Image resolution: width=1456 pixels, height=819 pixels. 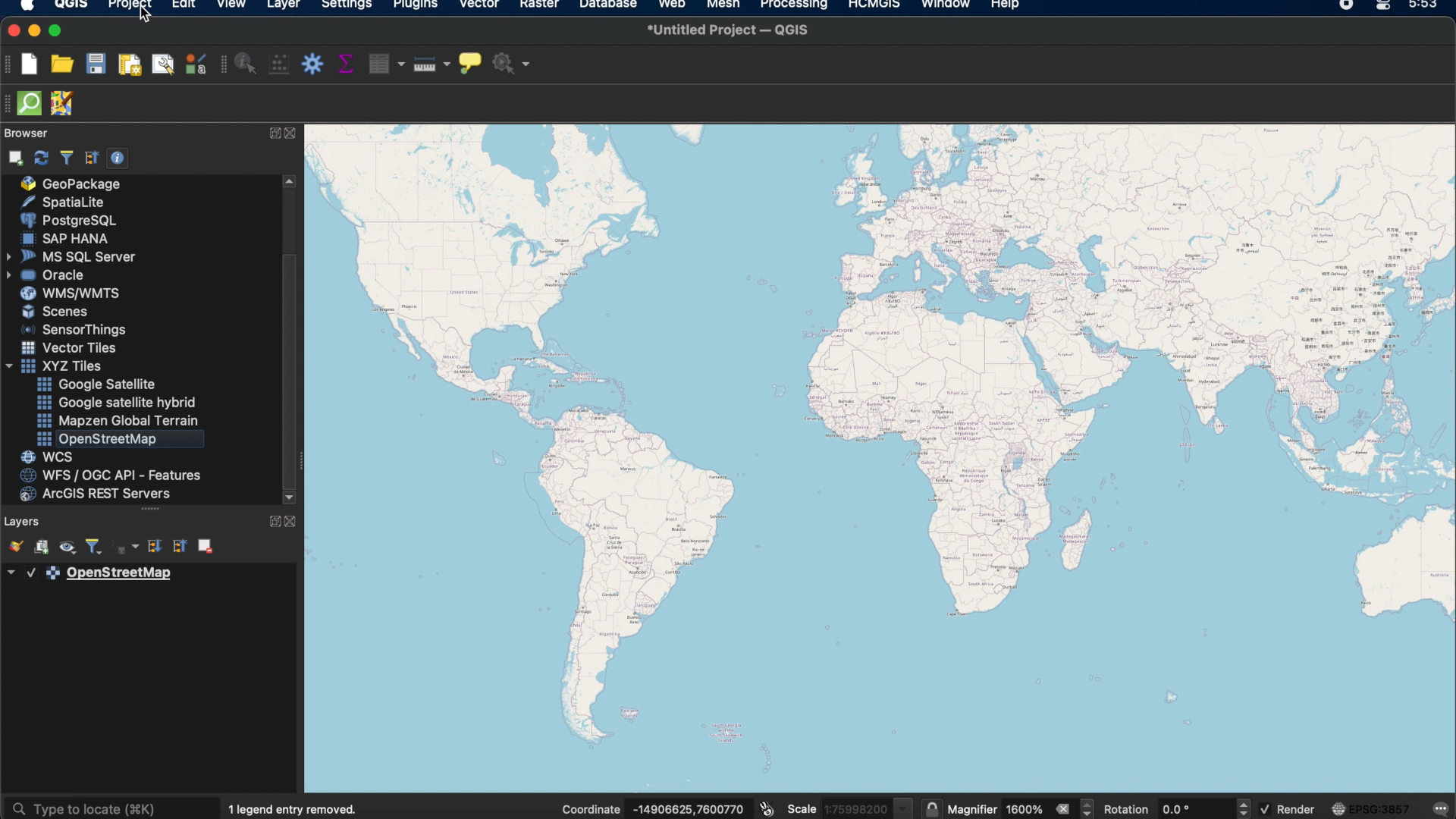 What do you see at coordinates (765, 808) in the screenshot?
I see `toggle extents and mouse position display` at bounding box center [765, 808].